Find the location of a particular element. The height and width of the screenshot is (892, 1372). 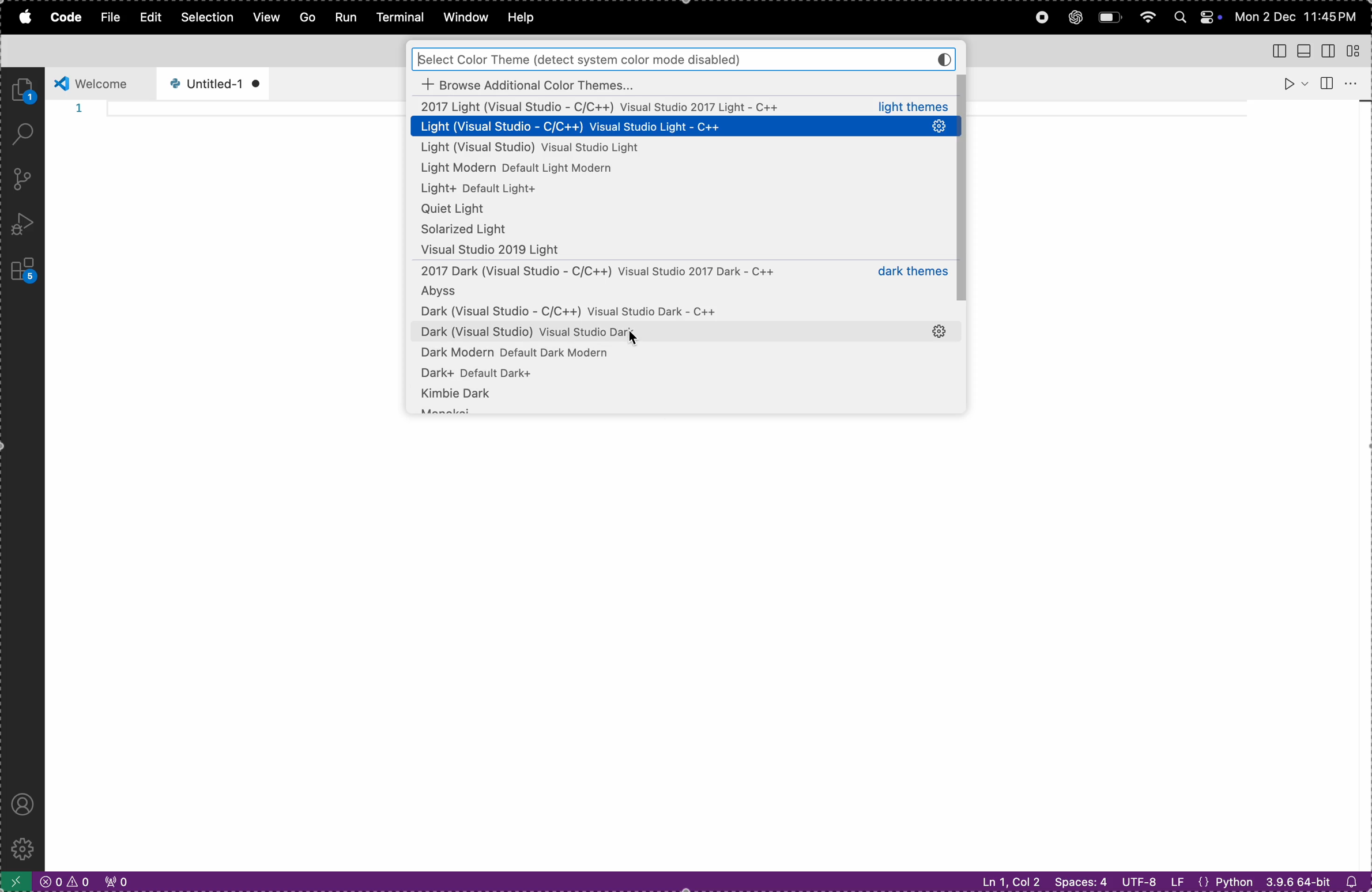

light visual studio visual light is located at coordinates (622, 149).